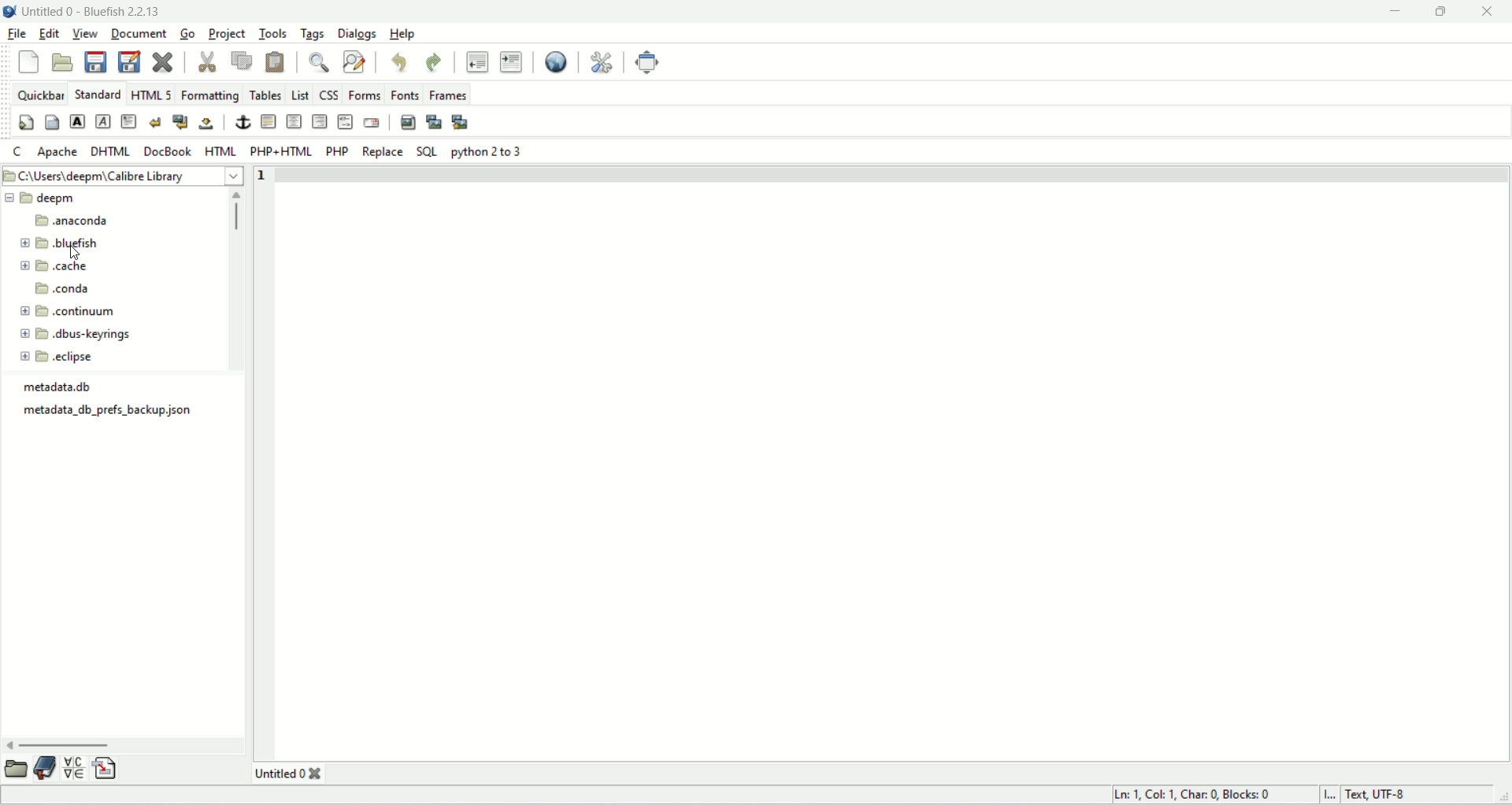  Describe the element at coordinates (343, 121) in the screenshot. I see `HTML comment` at that location.